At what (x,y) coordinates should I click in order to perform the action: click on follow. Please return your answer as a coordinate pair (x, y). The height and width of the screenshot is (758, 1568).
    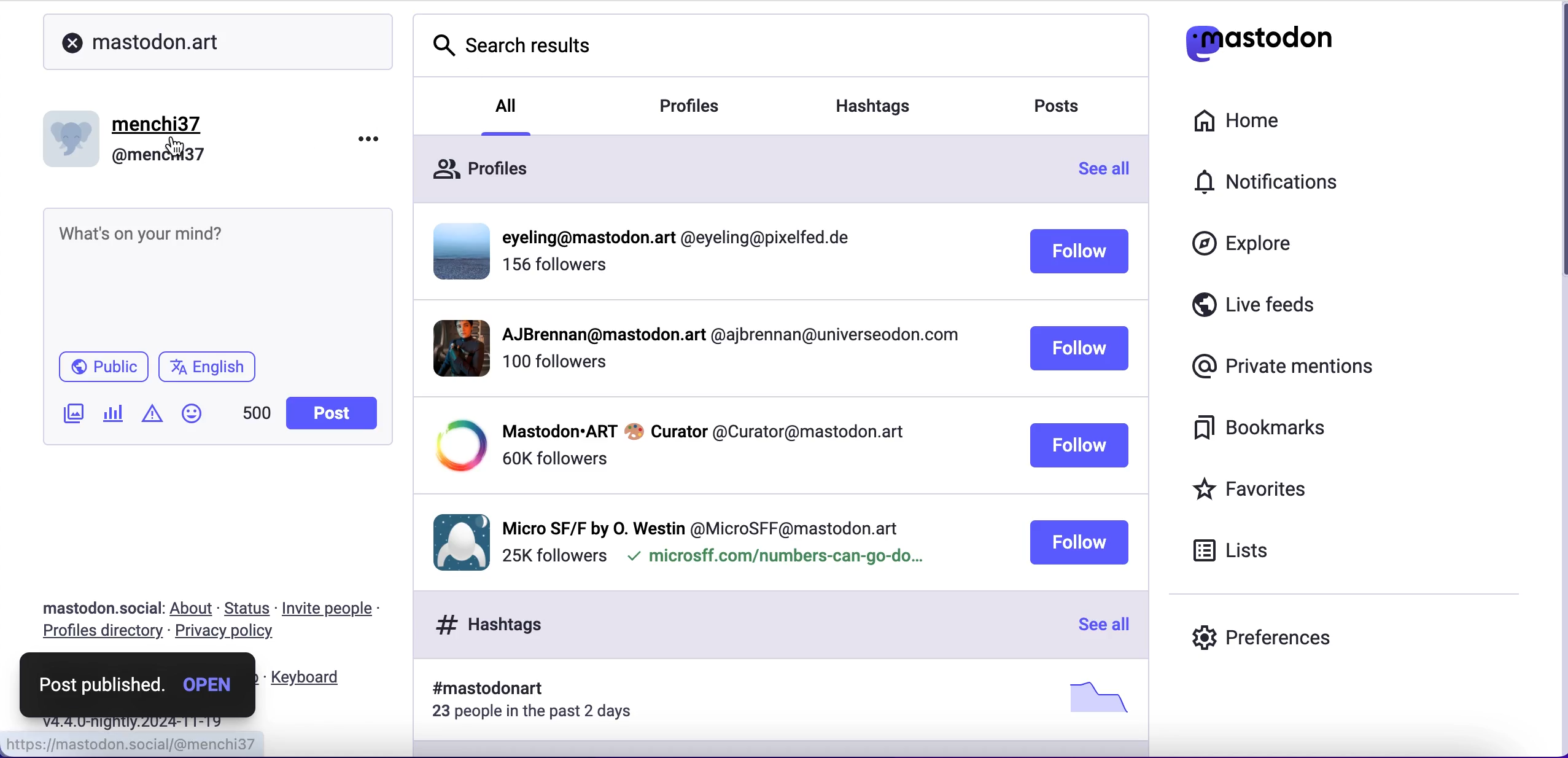
    Looking at the image, I should click on (1082, 251).